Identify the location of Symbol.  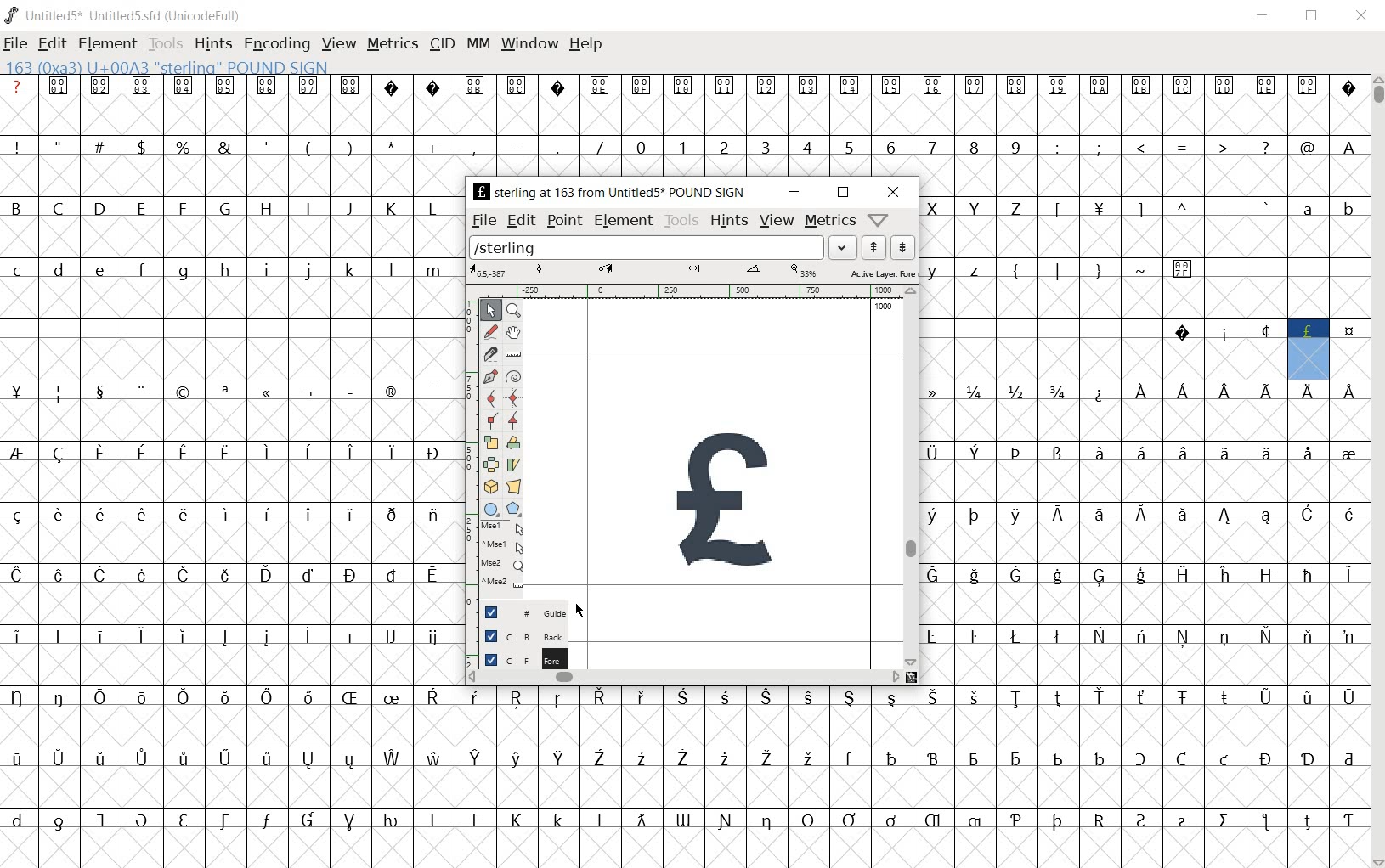
(1268, 518).